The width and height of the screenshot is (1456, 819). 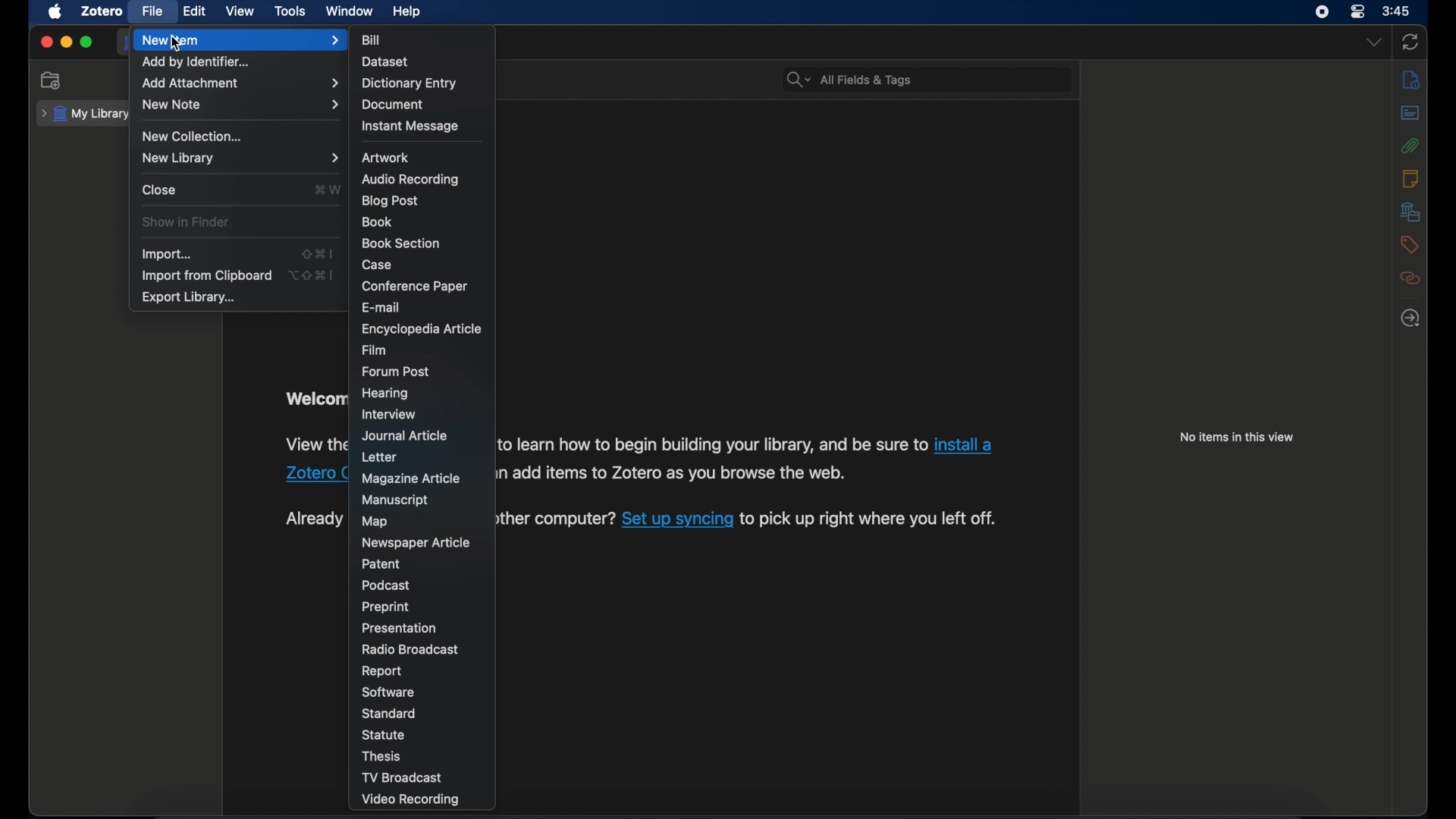 What do you see at coordinates (391, 416) in the screenshot?
I see `interview` at bounding box center [391, 416].